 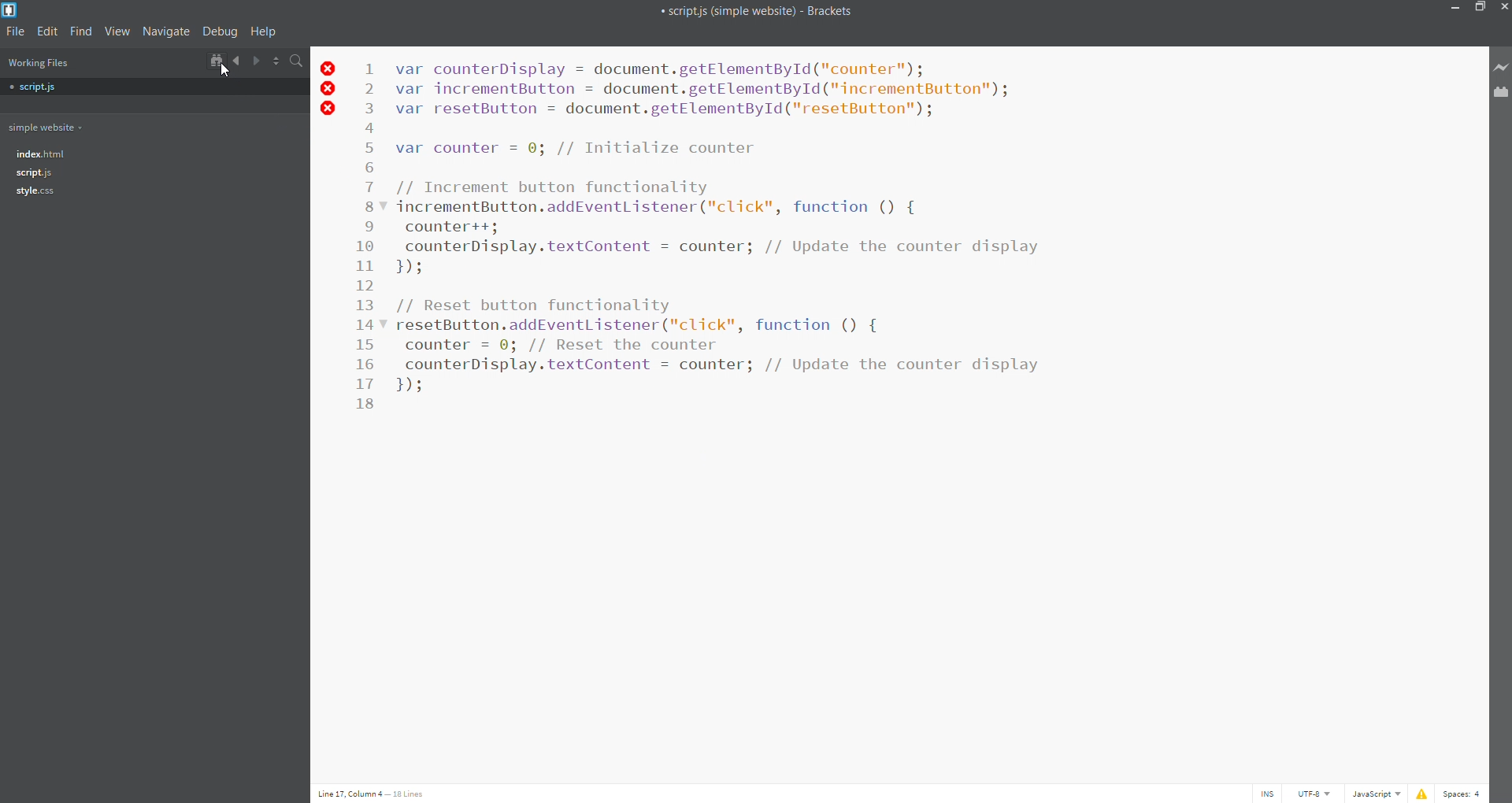 What do you see at coordinates (117, 32) in the screenshot?
I see `view` at bounding box center [117, 32].